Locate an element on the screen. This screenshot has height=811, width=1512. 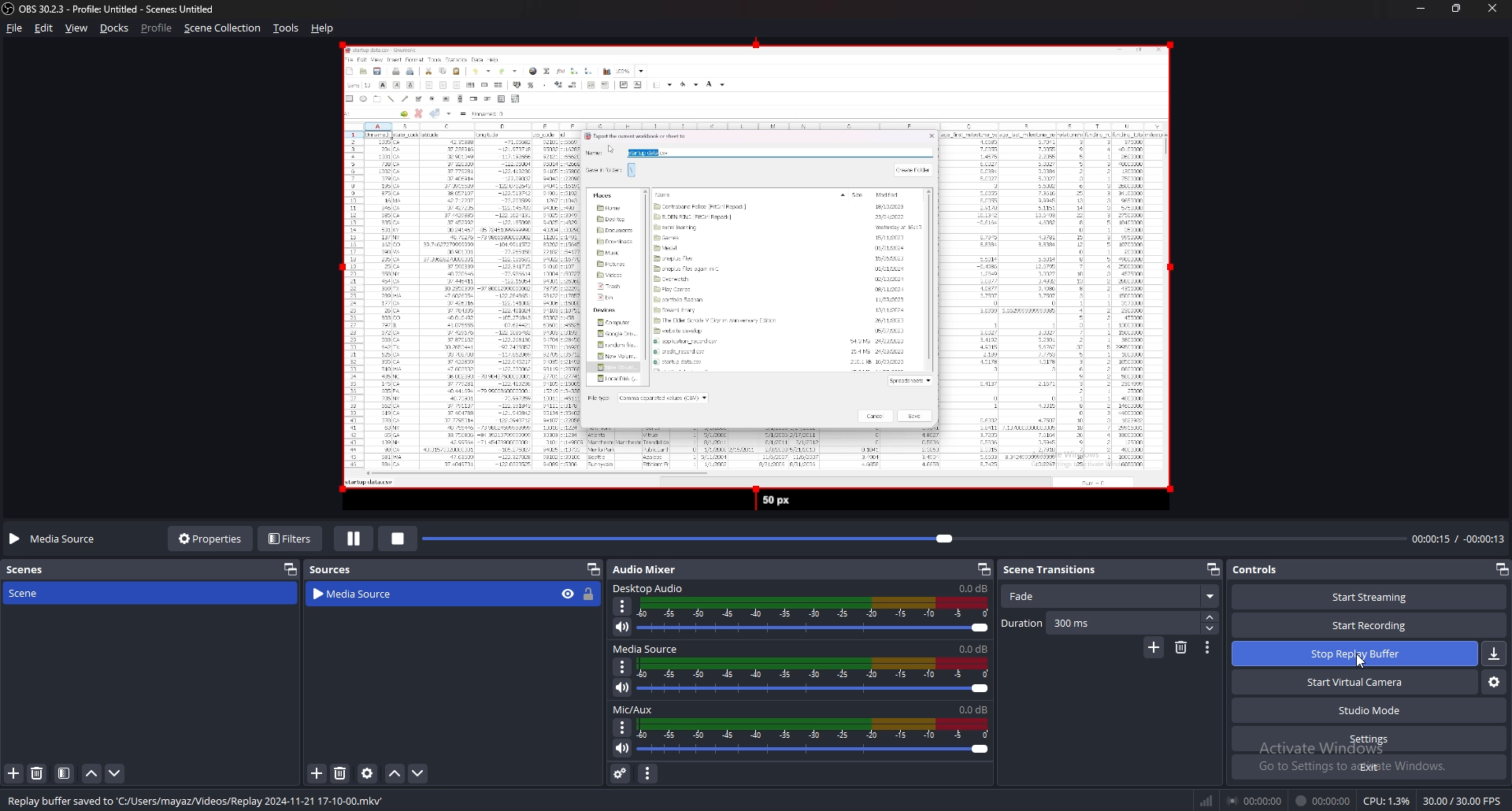
move scene up is located at coordinates (92, 774).